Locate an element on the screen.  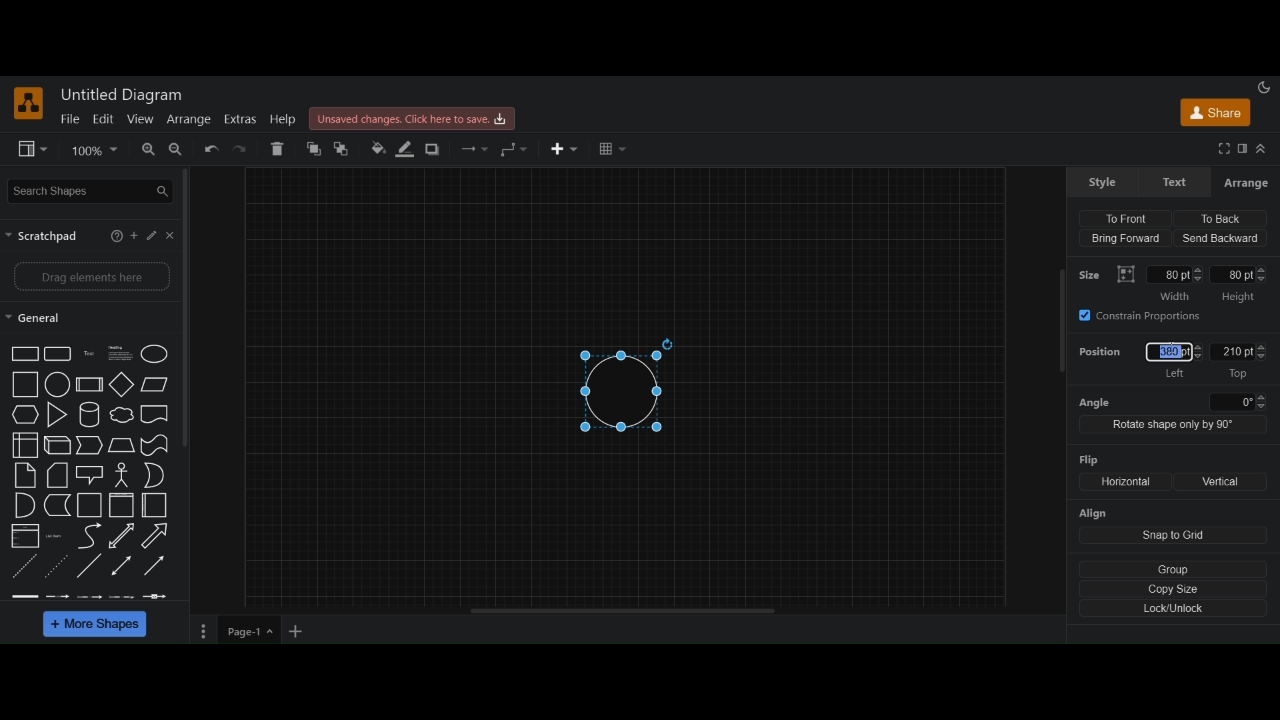
insert page is located at coordinates (297, 633).